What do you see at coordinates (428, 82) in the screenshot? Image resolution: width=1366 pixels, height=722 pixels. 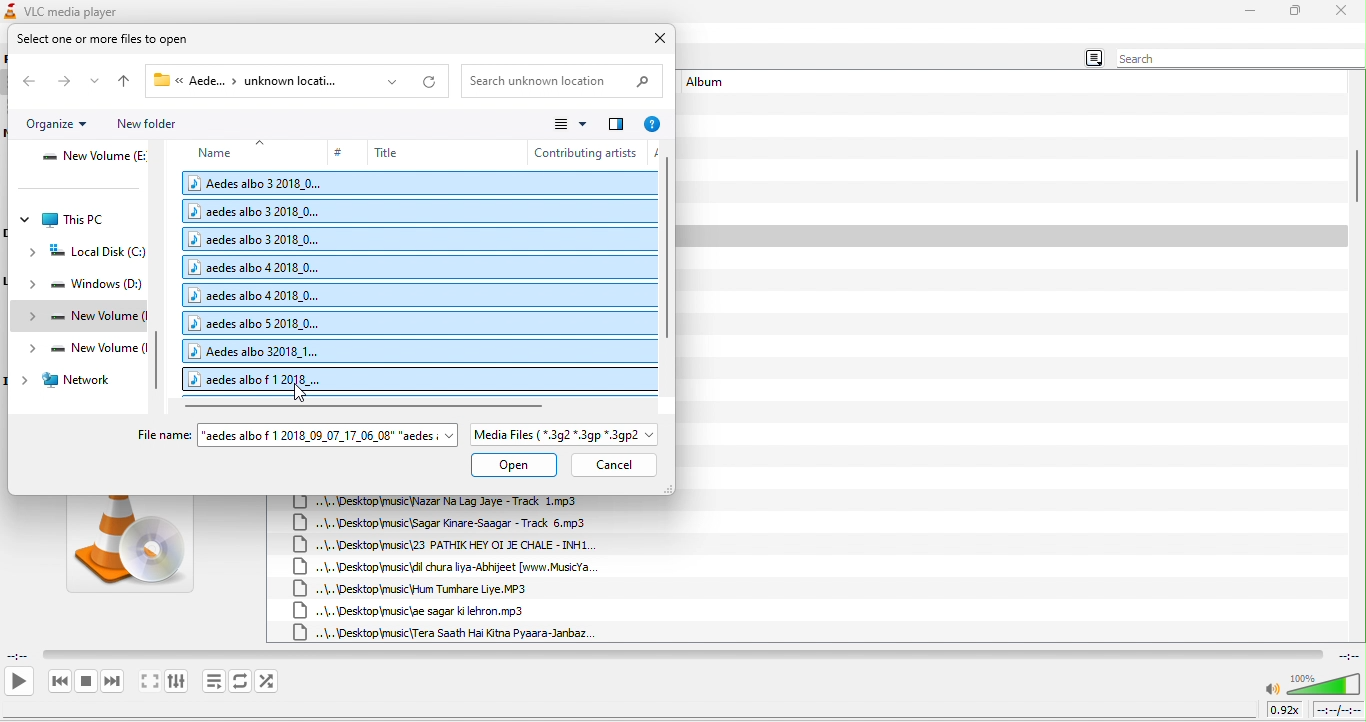 I see `refresh` at bounding box center [428, 82].